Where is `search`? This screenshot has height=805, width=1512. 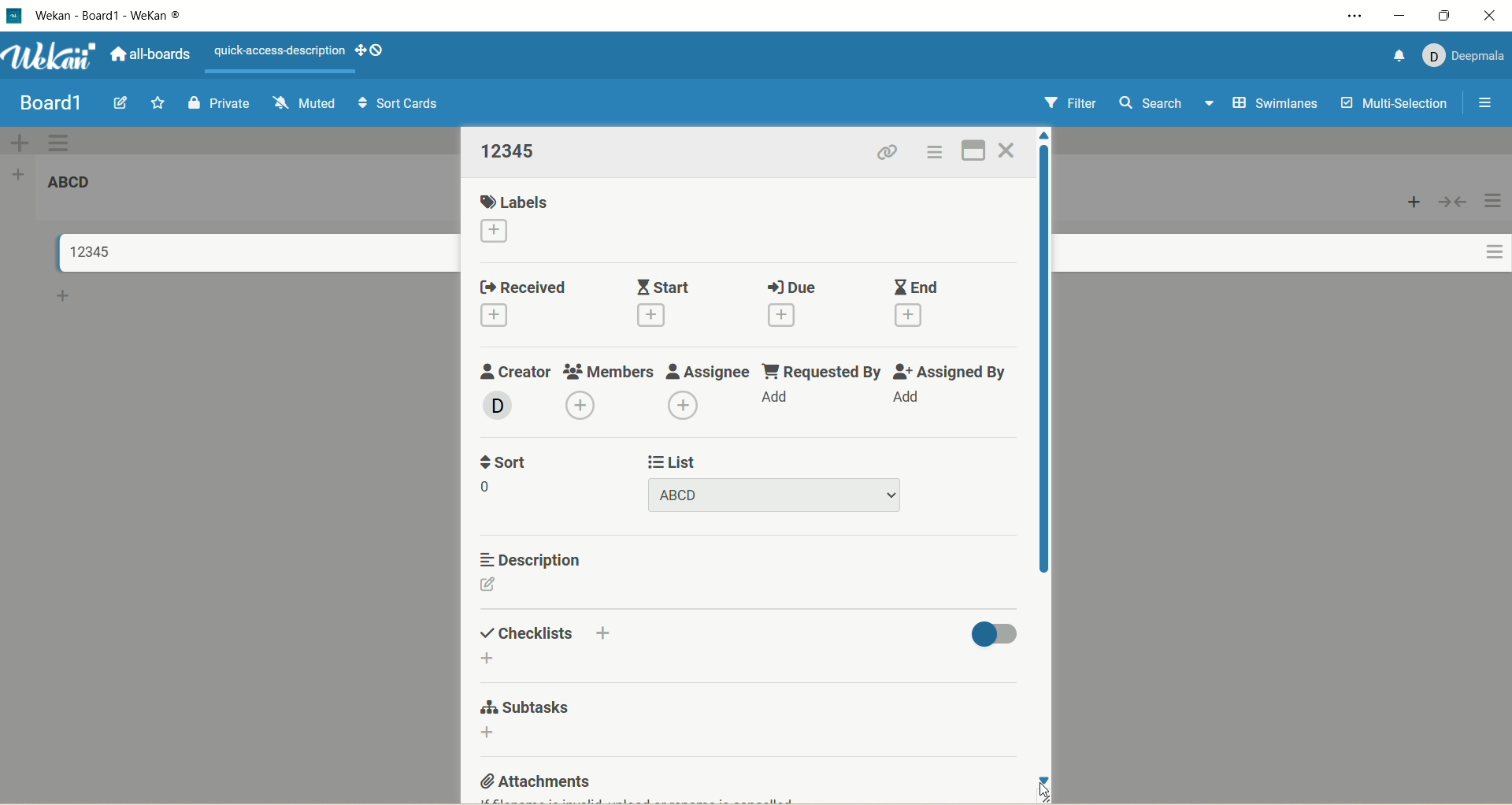
search is located at coordinates (1166, 105).